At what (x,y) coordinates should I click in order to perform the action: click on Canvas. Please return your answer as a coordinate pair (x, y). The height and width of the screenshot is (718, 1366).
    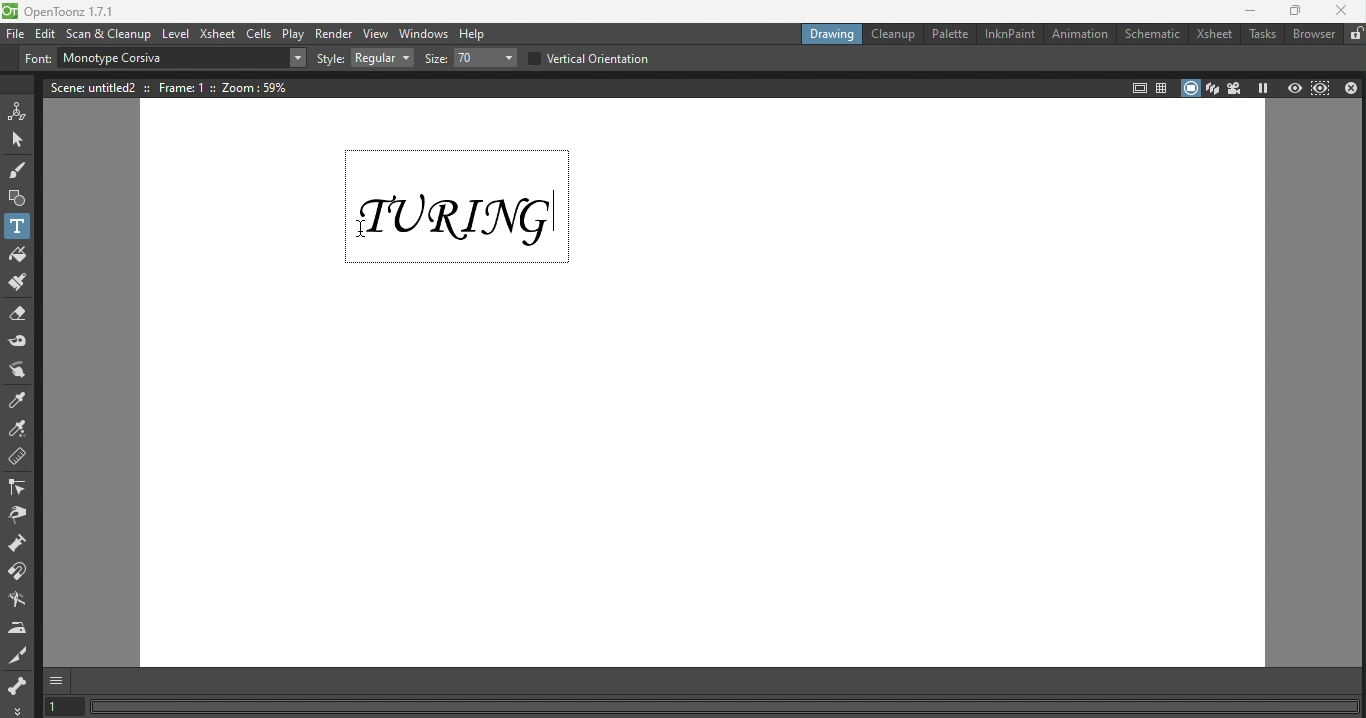
    Looking at the image, I should click on (711, 481).